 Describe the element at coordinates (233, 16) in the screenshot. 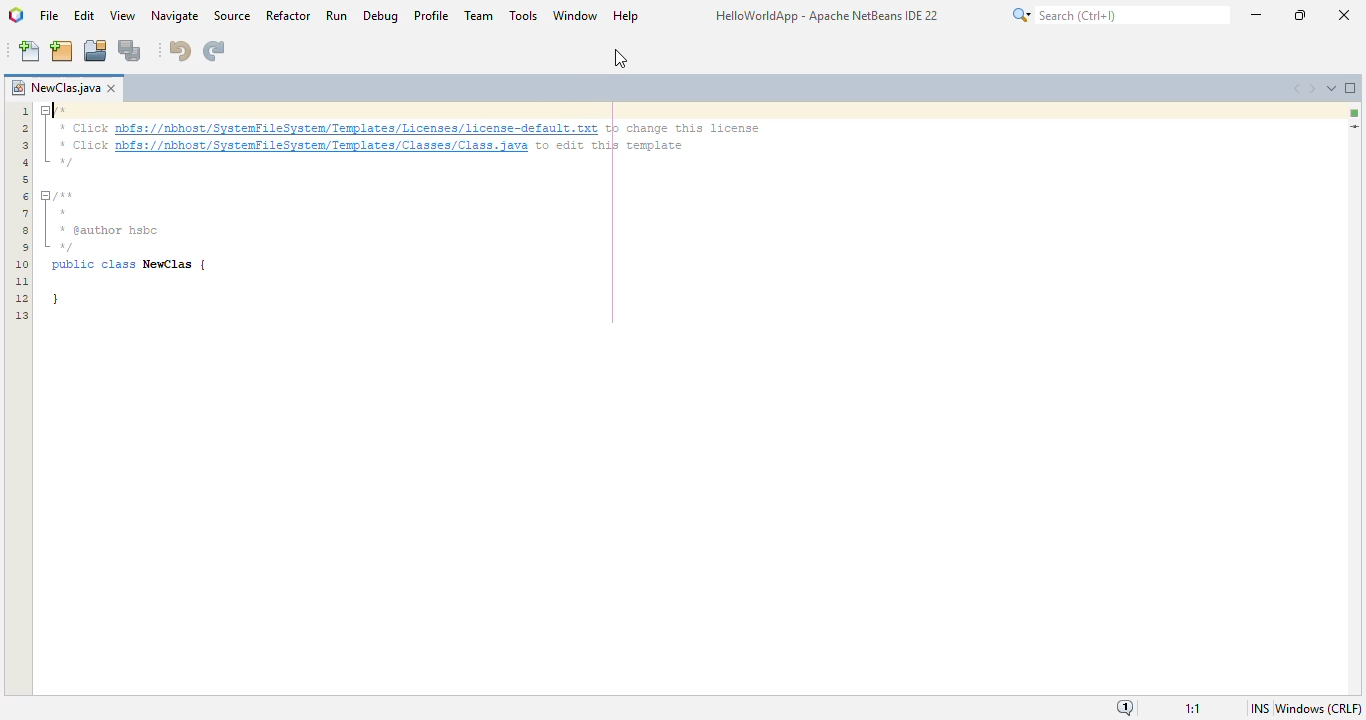

I see `source` at that location.